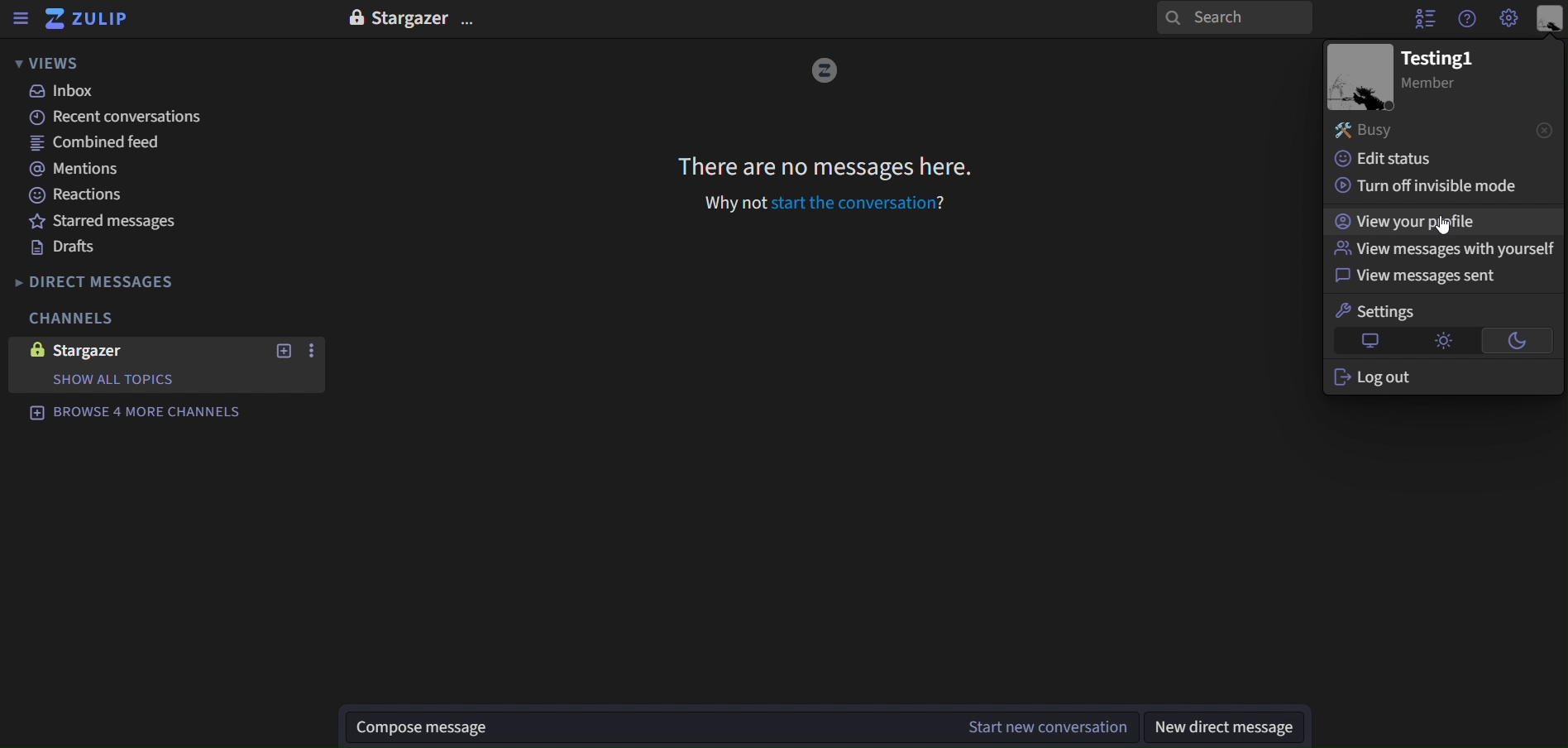 This screenshot has height=748, width=1568. I want to click on personal menu, so click(1548, 19).